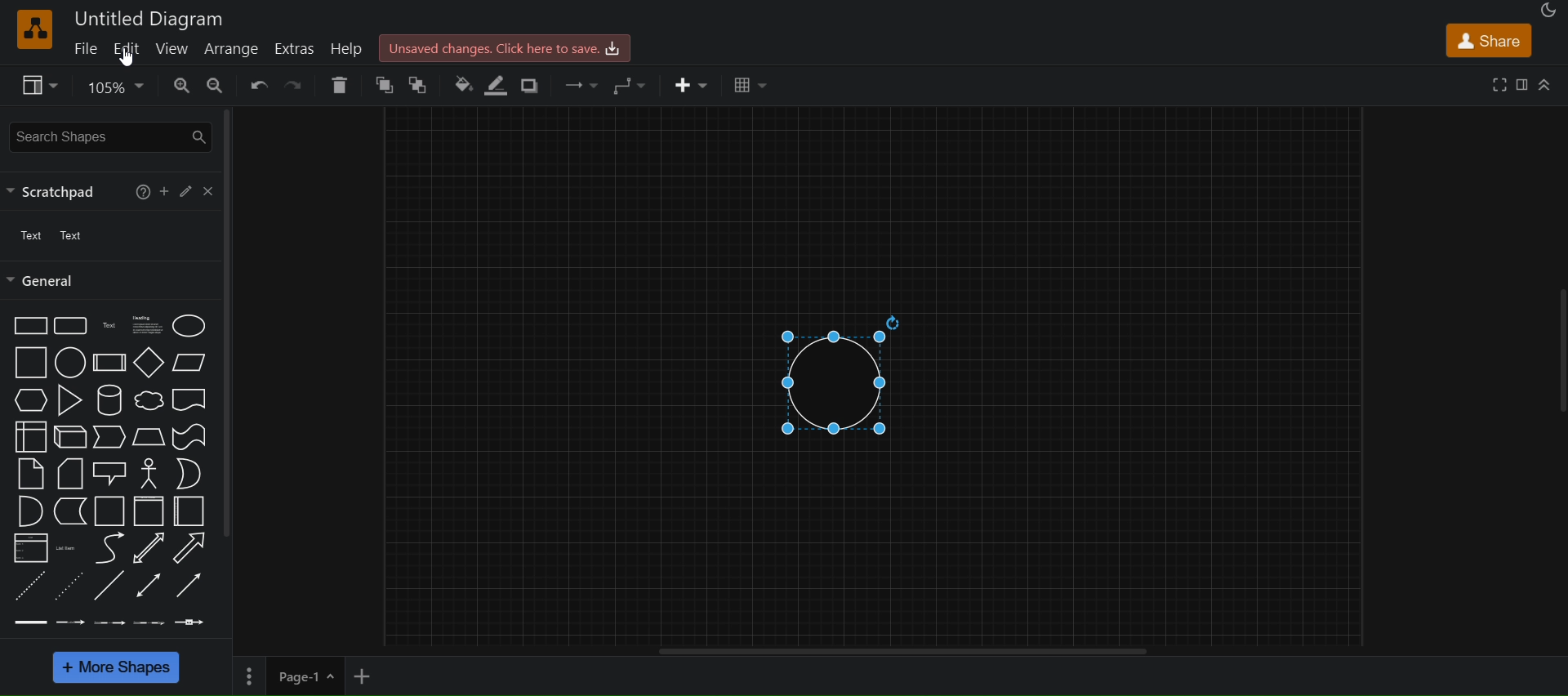 The height and width of the screenshot is (696, 1568). I want to click on close, so click(206, 191).